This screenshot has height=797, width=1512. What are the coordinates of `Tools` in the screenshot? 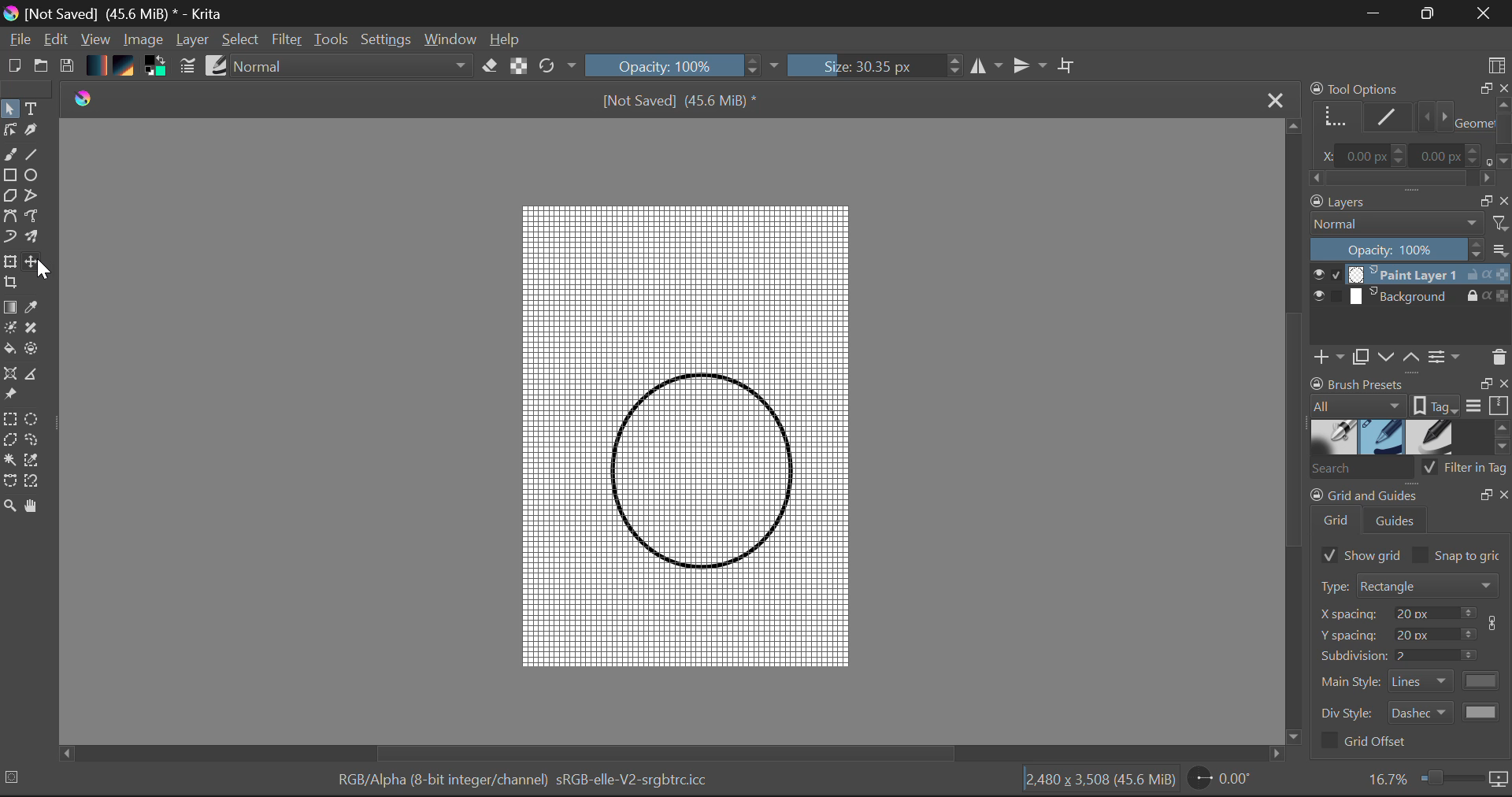 It's located at (332, 41).